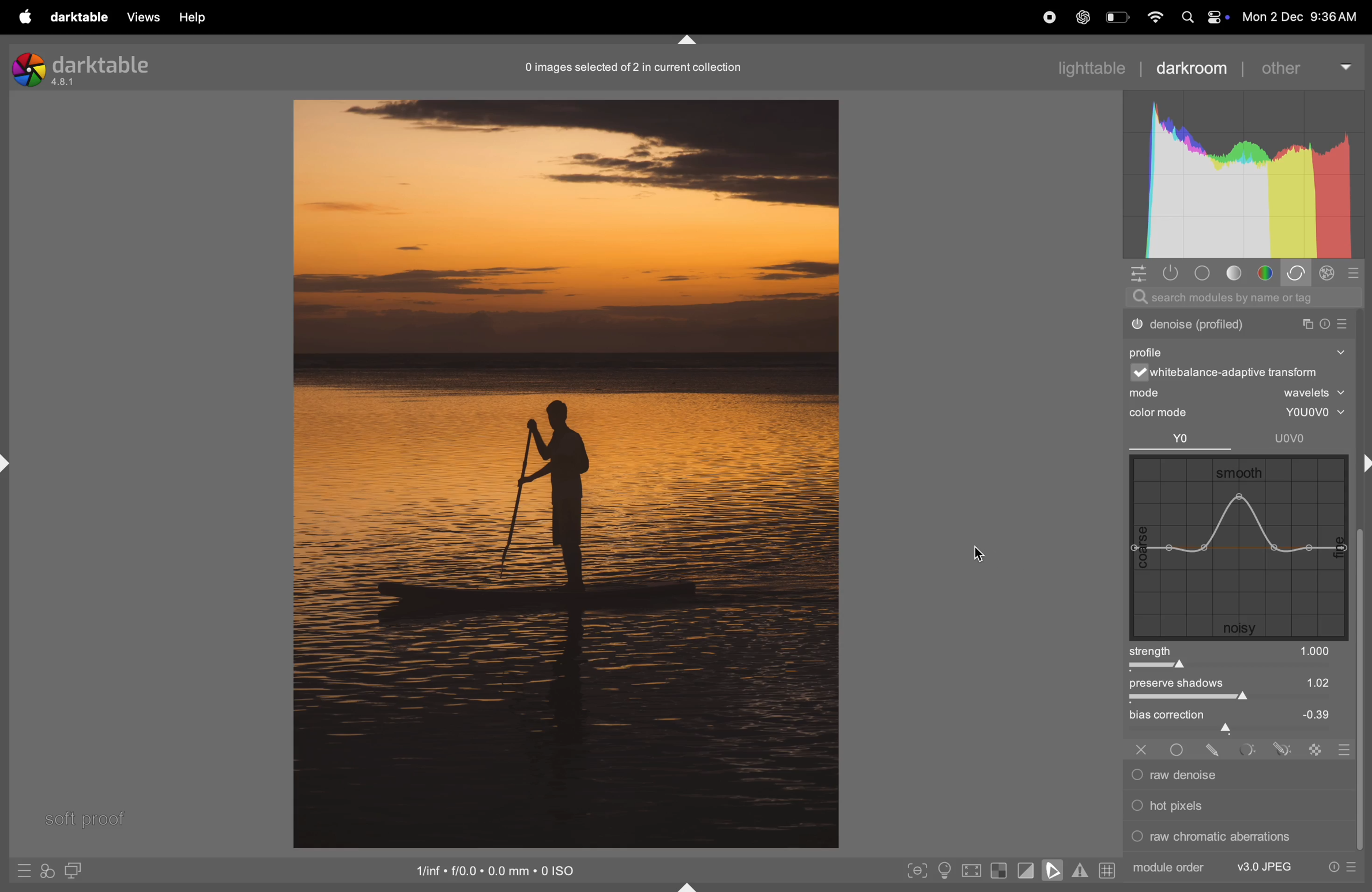  I want to click on correct, so click(1299, 274).